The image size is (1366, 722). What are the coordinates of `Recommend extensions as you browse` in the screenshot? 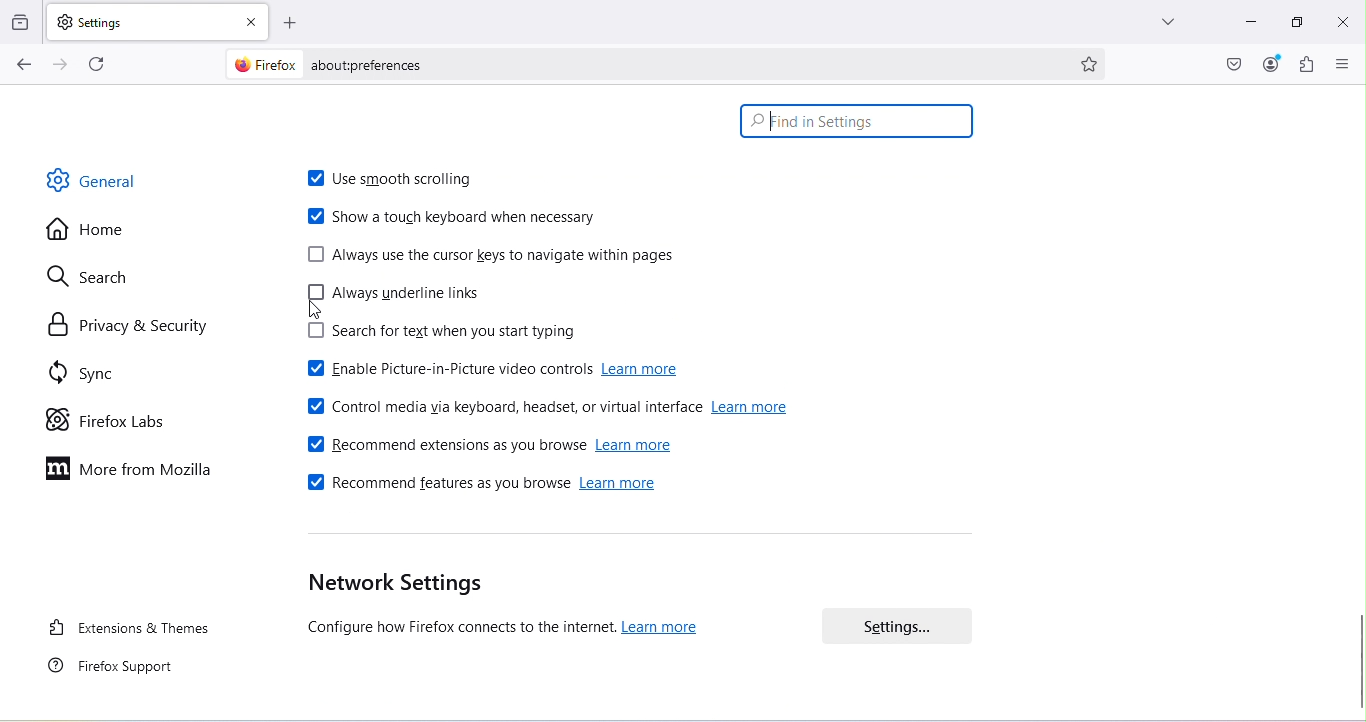 It's located at (444, 444).